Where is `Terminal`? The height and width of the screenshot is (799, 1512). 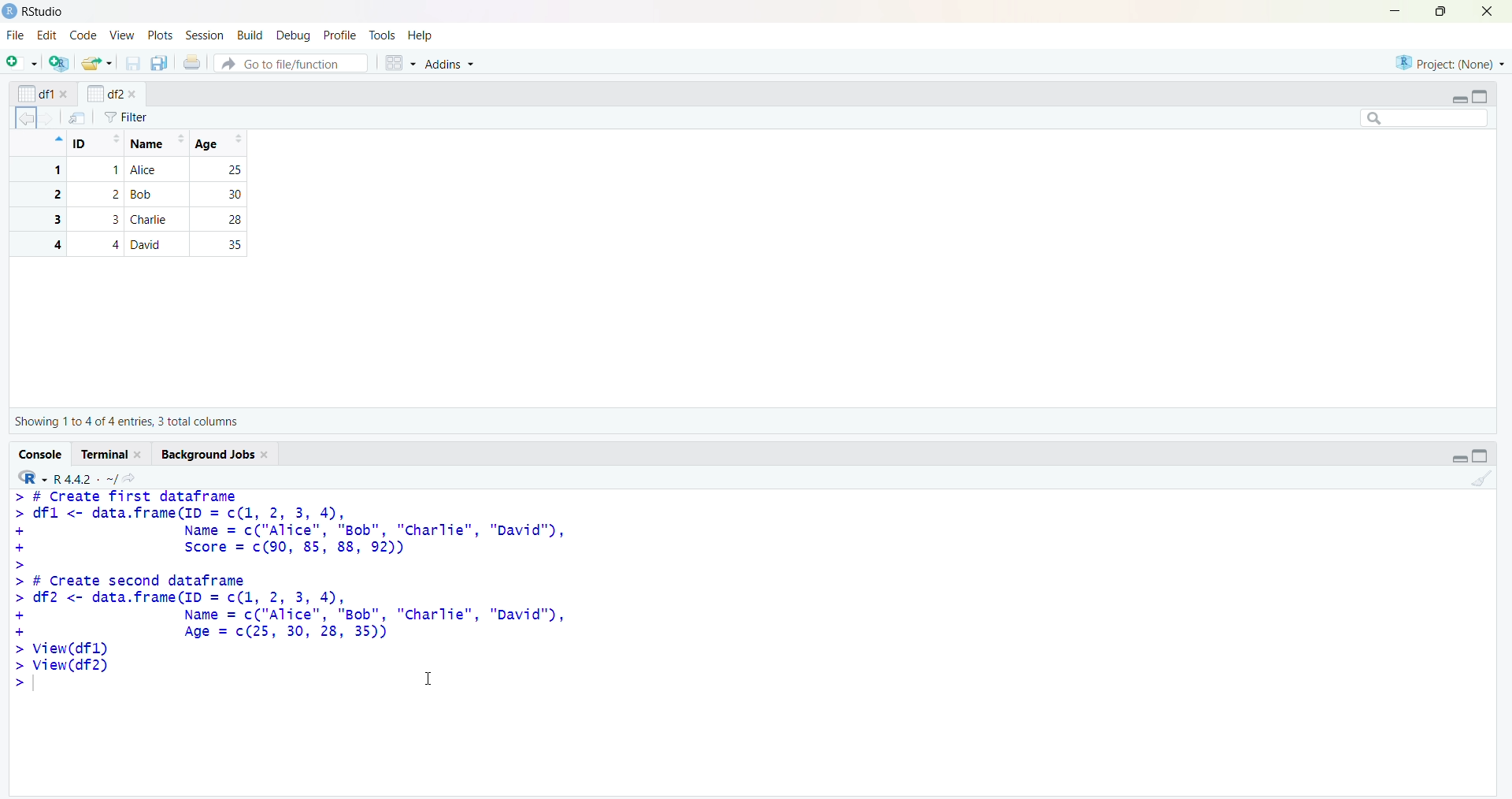
Terminal is located at coordinates (106, 454).